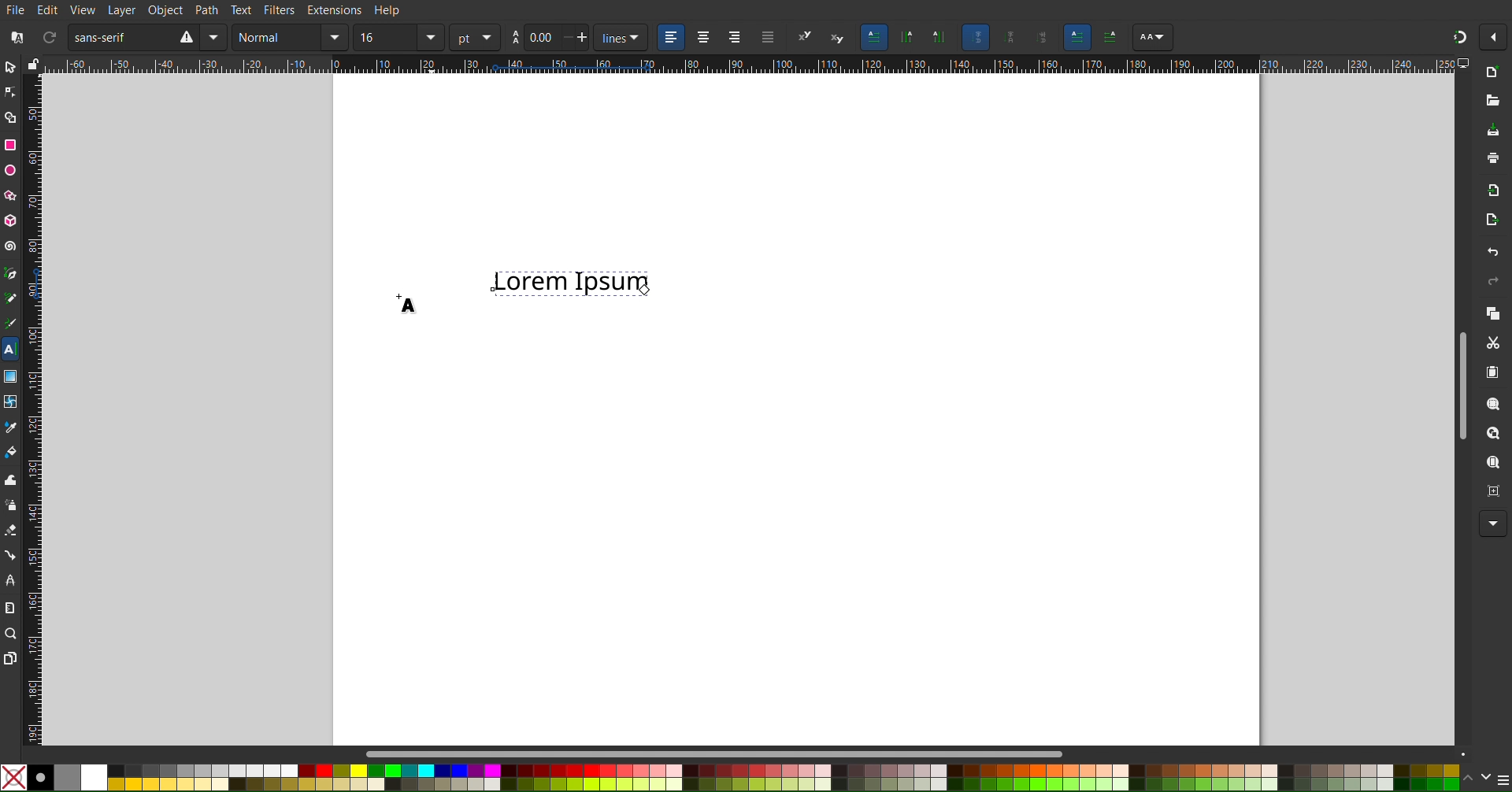 The image size is (1512, 792). Describe the element at coordinates (1492, 313) in the screenshot. I see `Copy` at that location.